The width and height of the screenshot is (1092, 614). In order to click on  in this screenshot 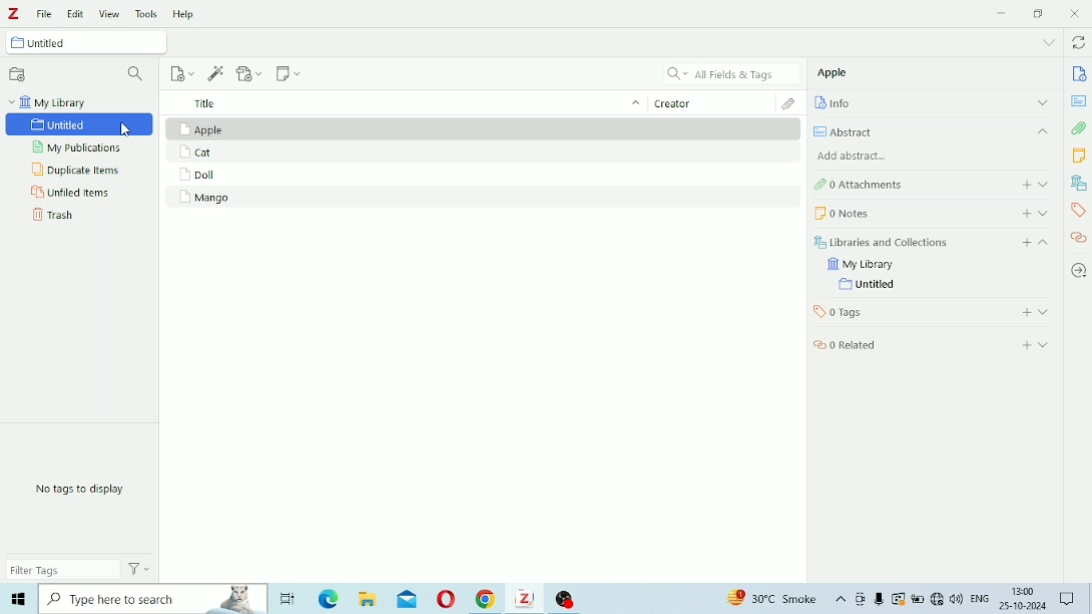, I will do `click(945, 599)`.